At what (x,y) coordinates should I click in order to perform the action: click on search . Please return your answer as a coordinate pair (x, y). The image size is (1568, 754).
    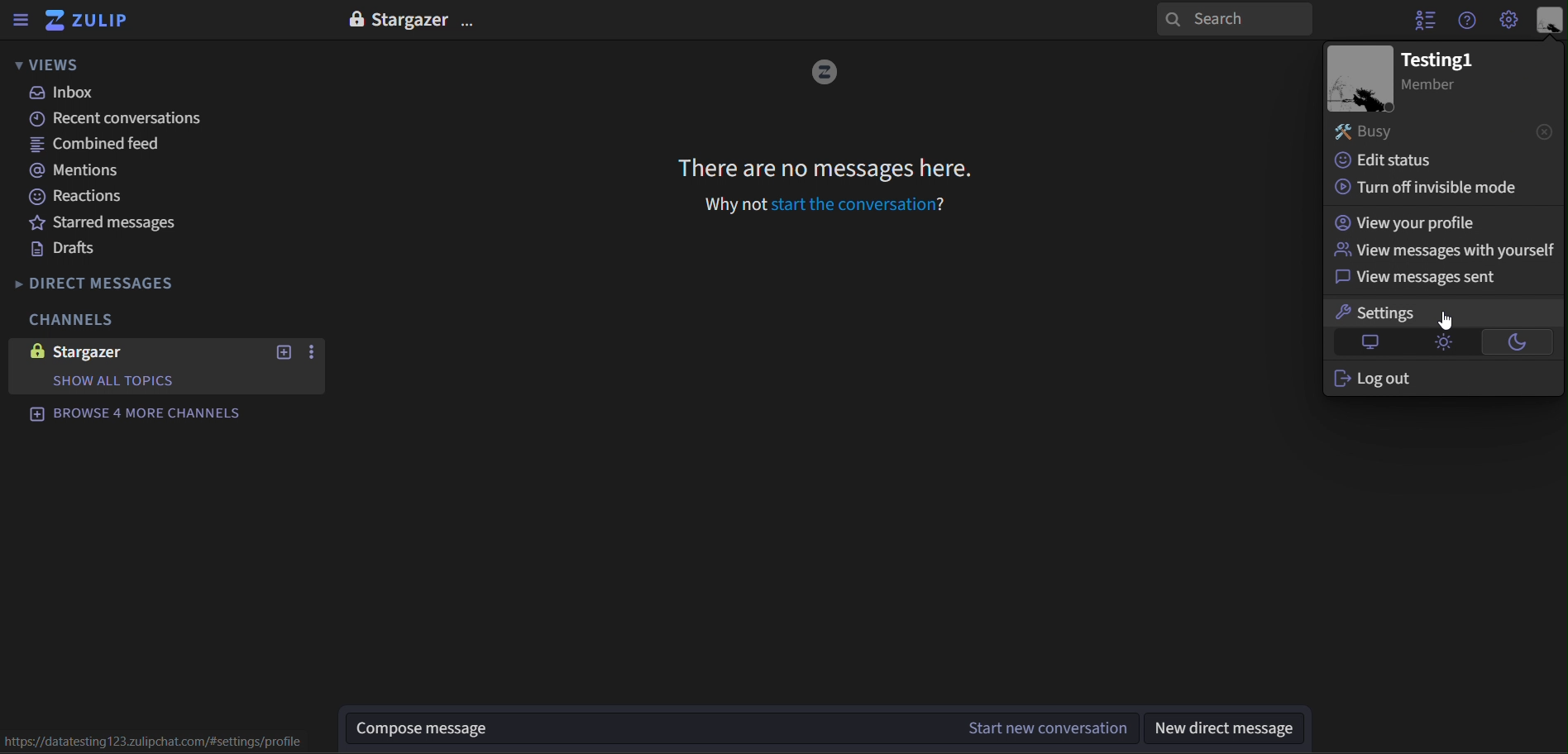
    Looking at the image, I should click on (1235, 20).